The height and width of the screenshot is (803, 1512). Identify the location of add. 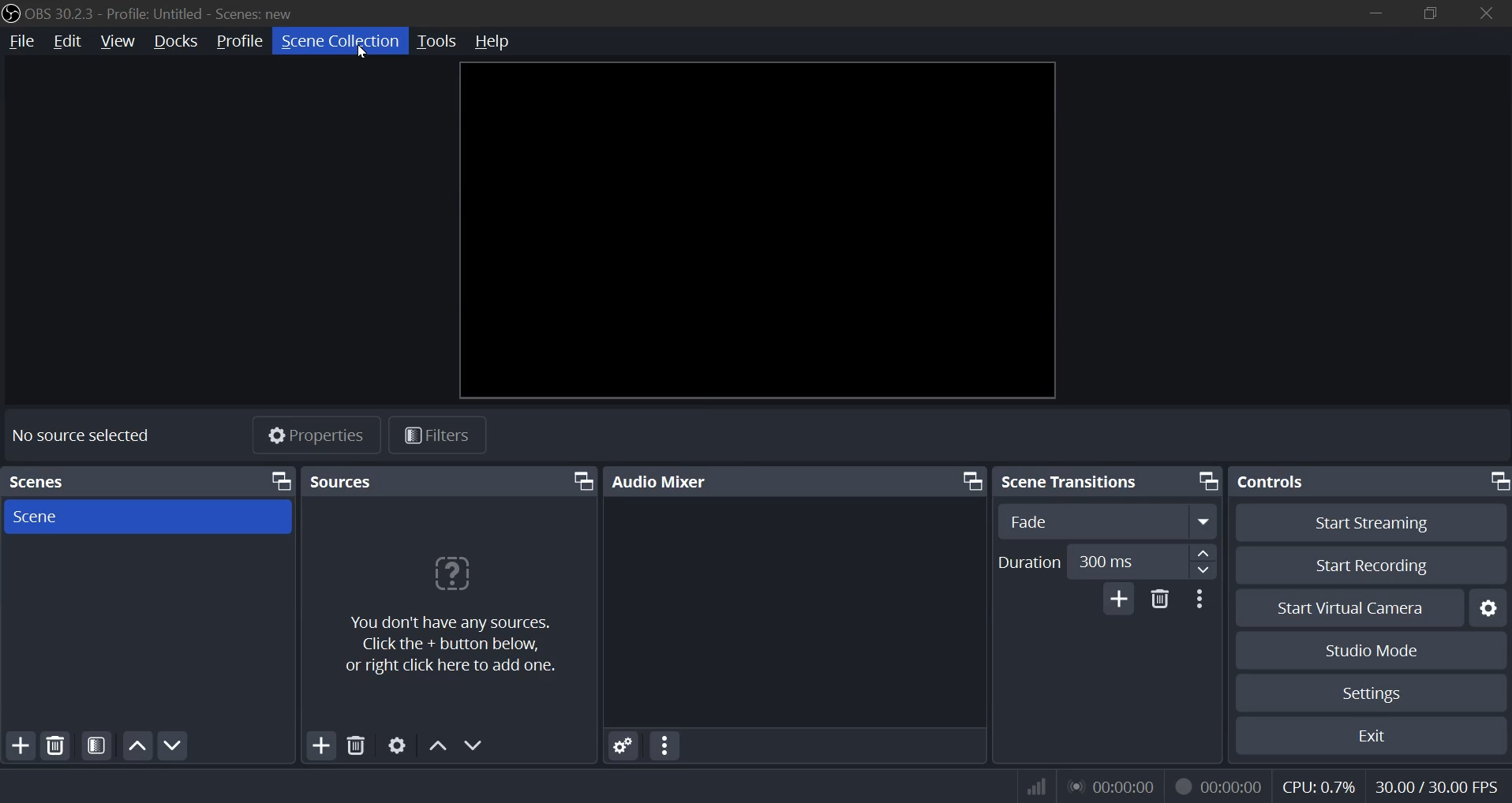
(23, 744).